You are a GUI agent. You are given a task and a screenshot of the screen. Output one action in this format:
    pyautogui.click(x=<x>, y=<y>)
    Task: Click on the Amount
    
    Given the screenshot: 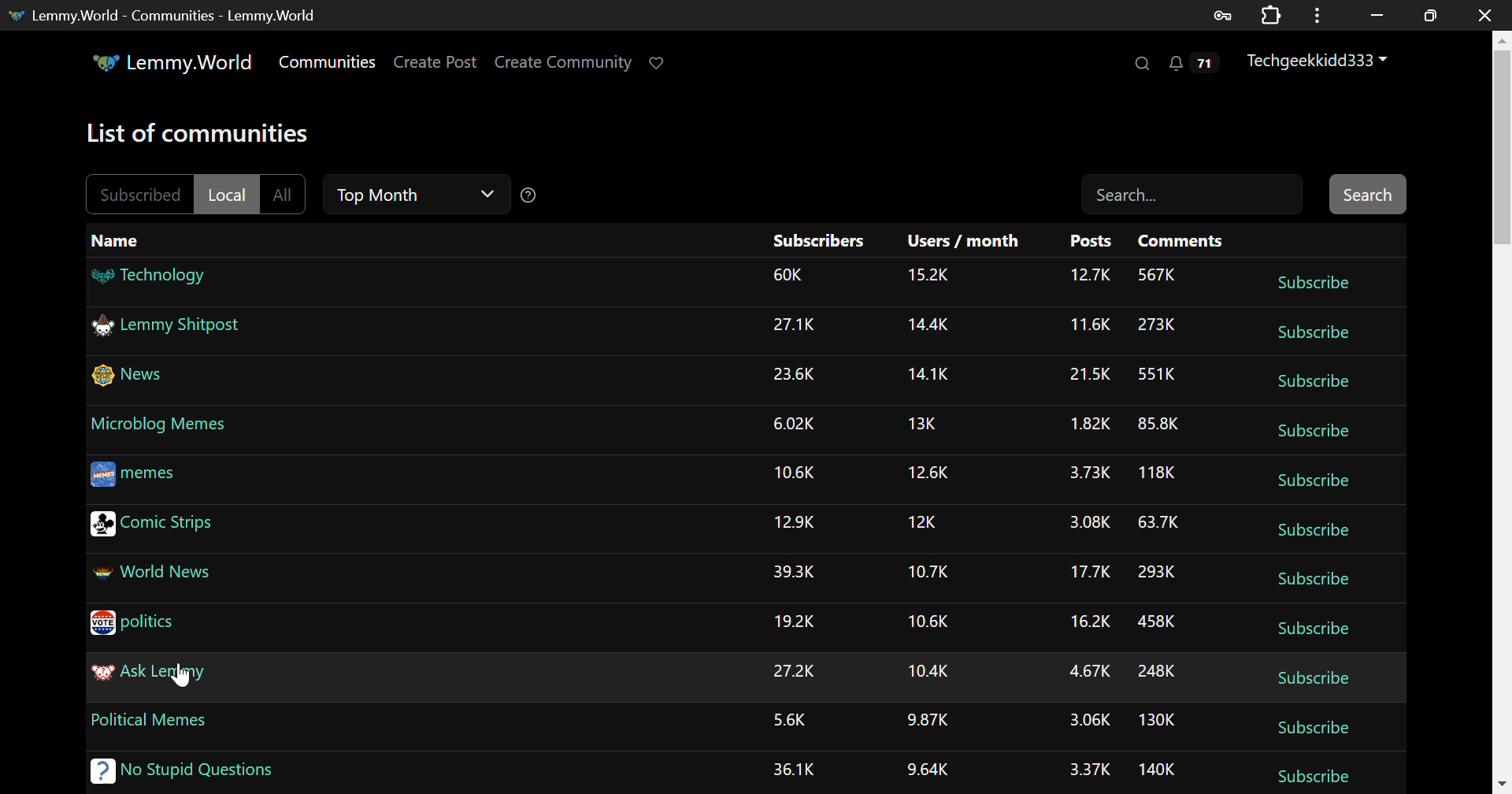 What is the action you would take?
    pyautogui.click(x=1090, y=719)
    